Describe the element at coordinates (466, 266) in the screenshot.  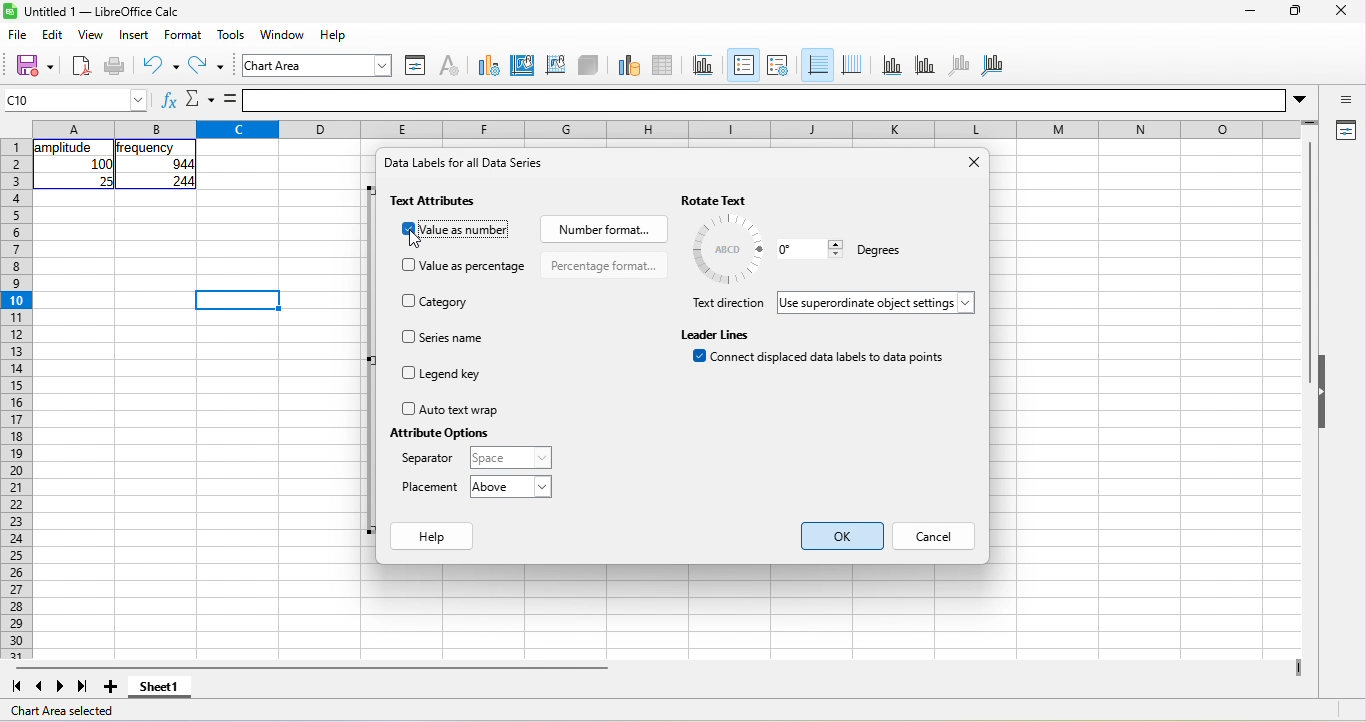
I see `value as percentage` at that location.